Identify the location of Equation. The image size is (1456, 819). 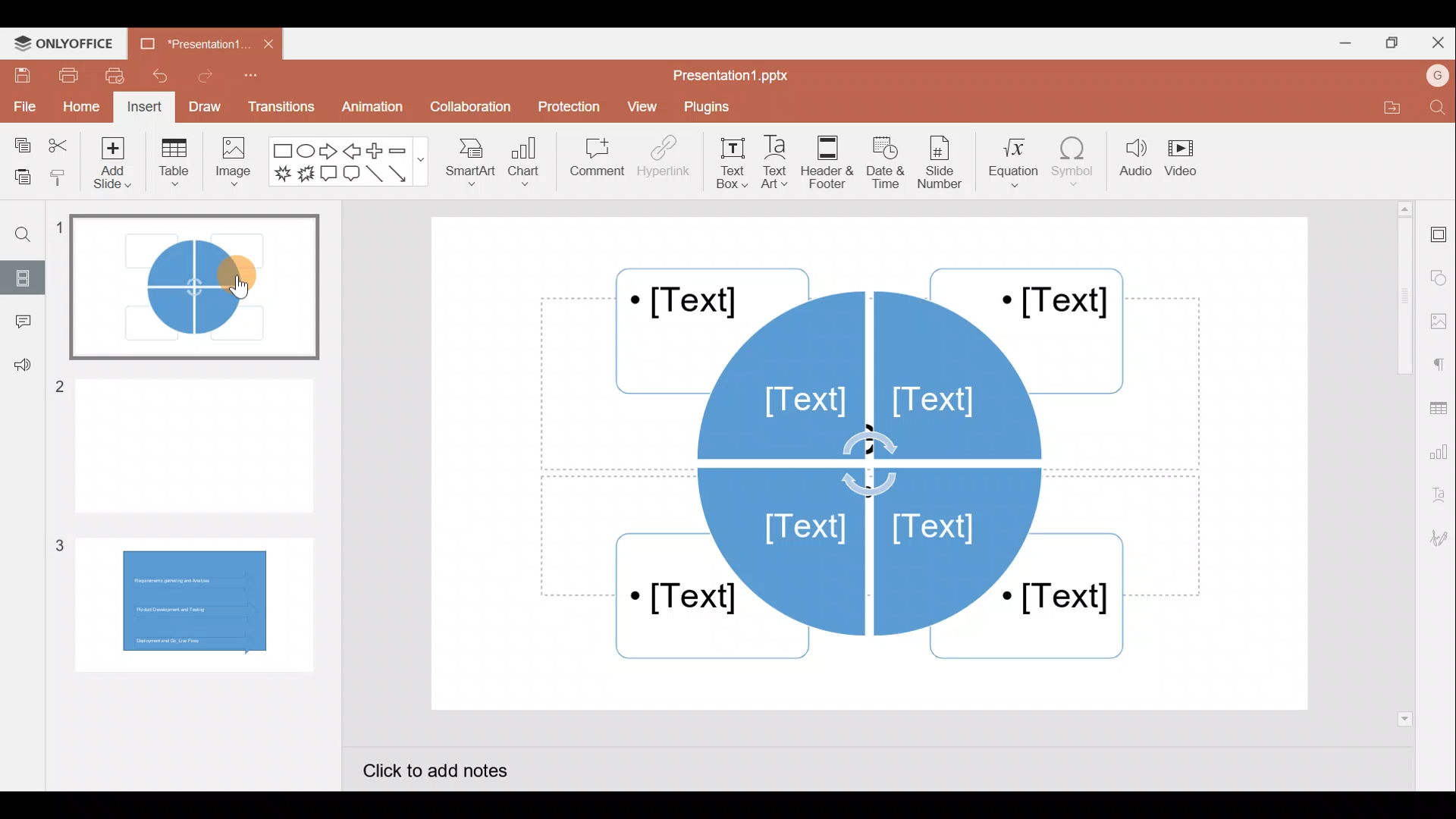
(1009, 163).